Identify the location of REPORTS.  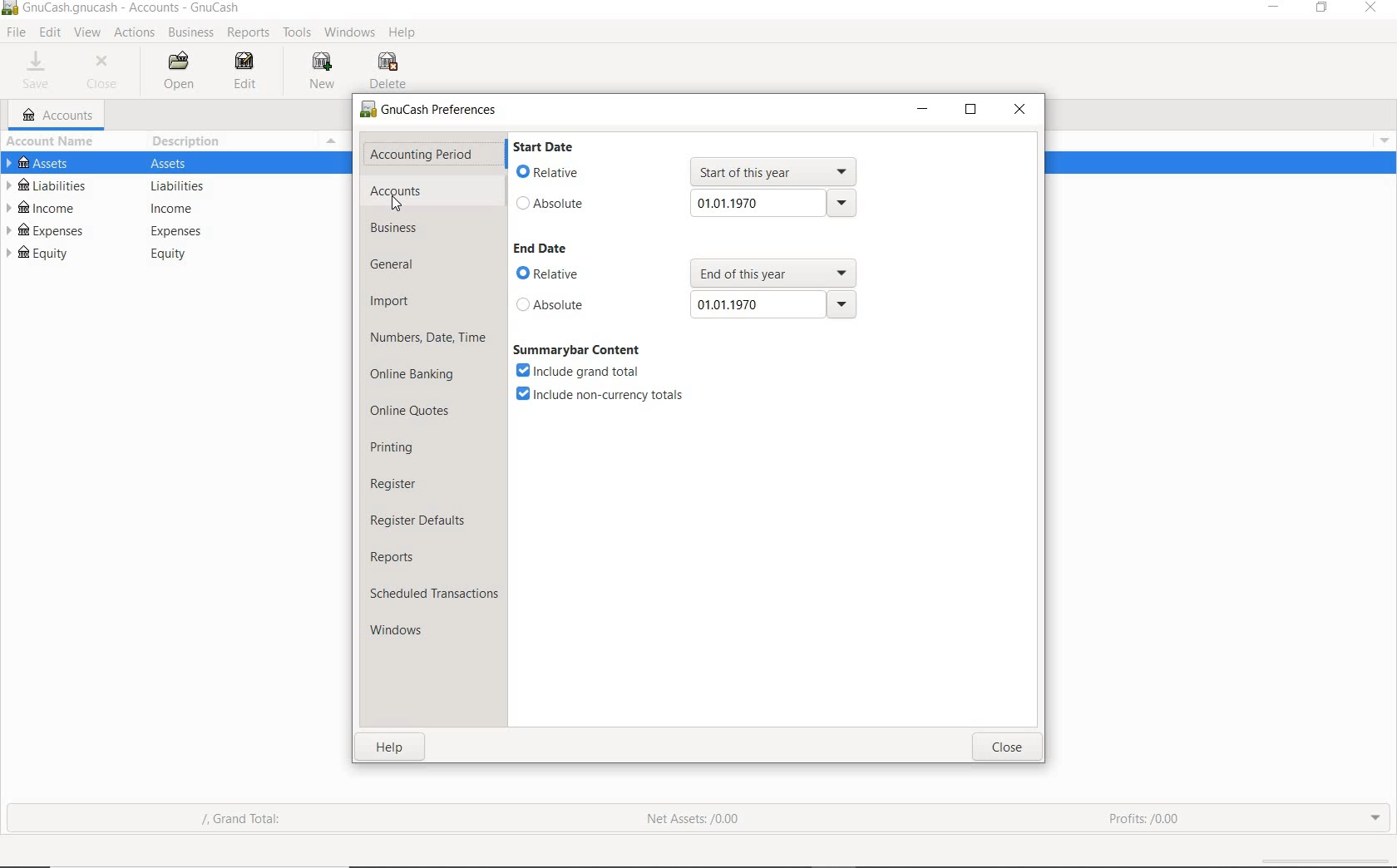
(249, 33).